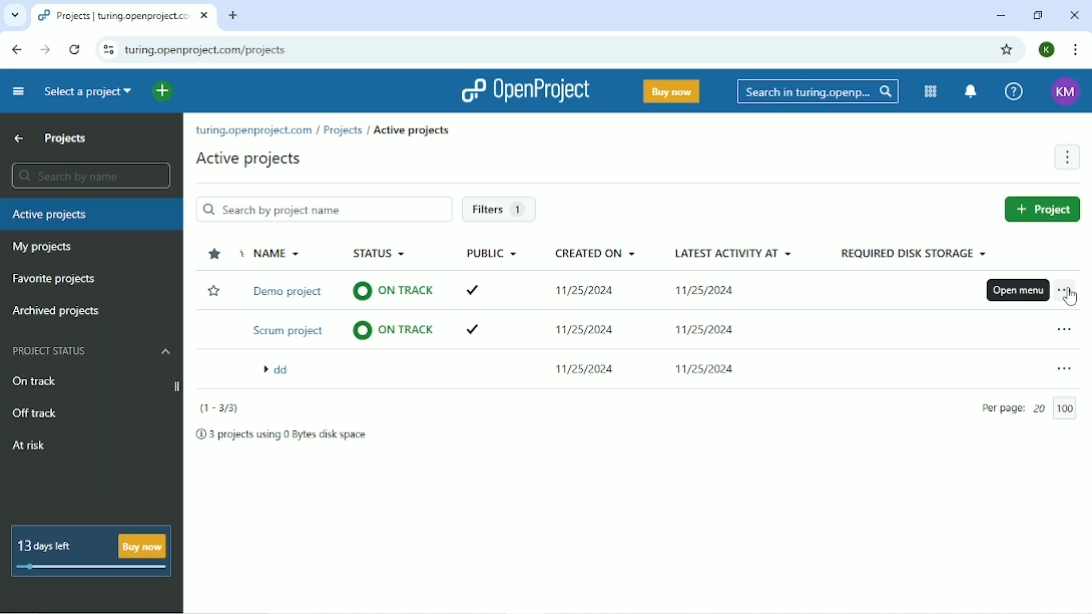  Describe the element at coordinates (394, 332) in the screenshot. I see `on track` at that location.